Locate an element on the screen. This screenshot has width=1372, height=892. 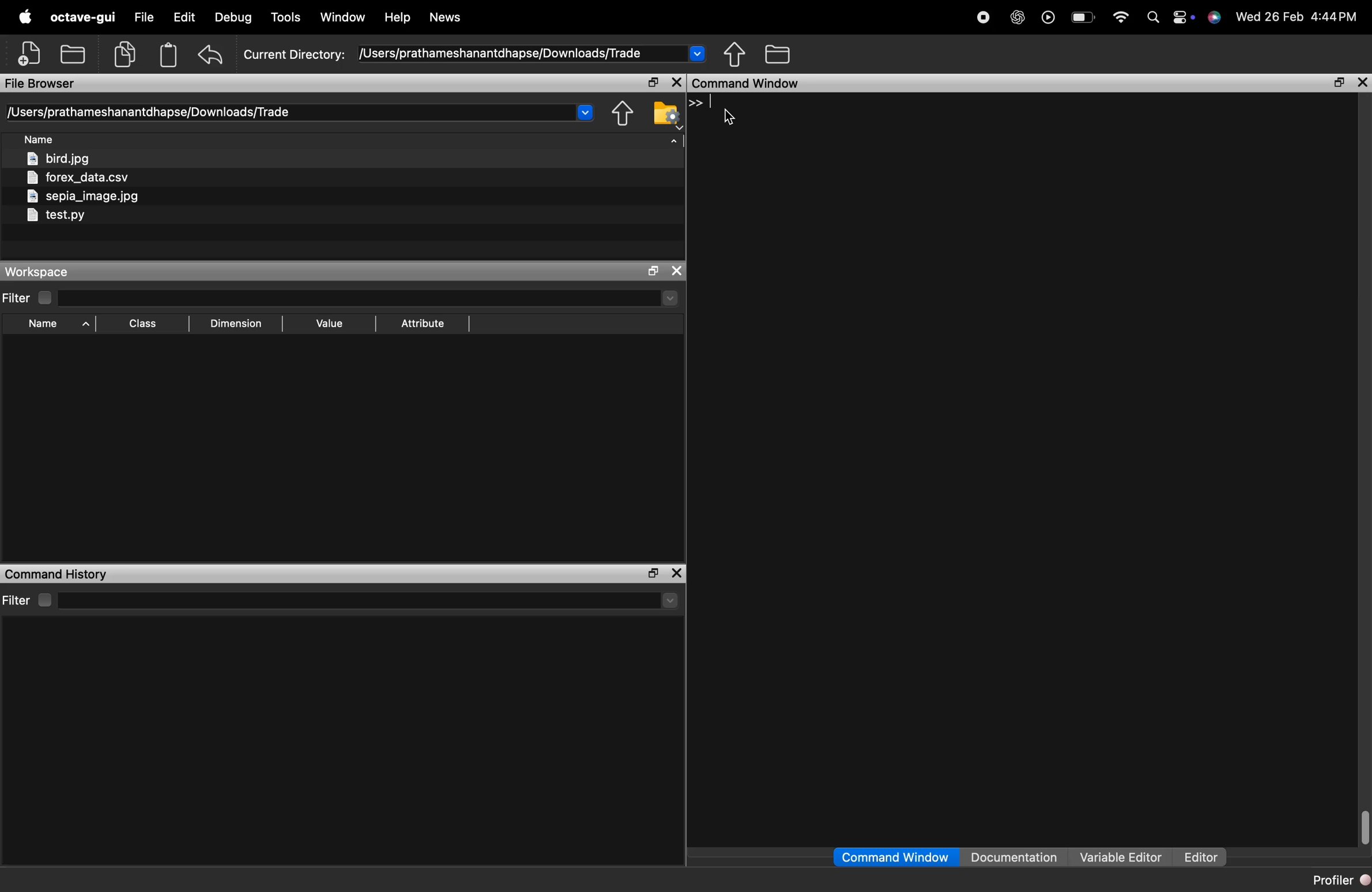
Command Window is located at coordinates (747, 83).